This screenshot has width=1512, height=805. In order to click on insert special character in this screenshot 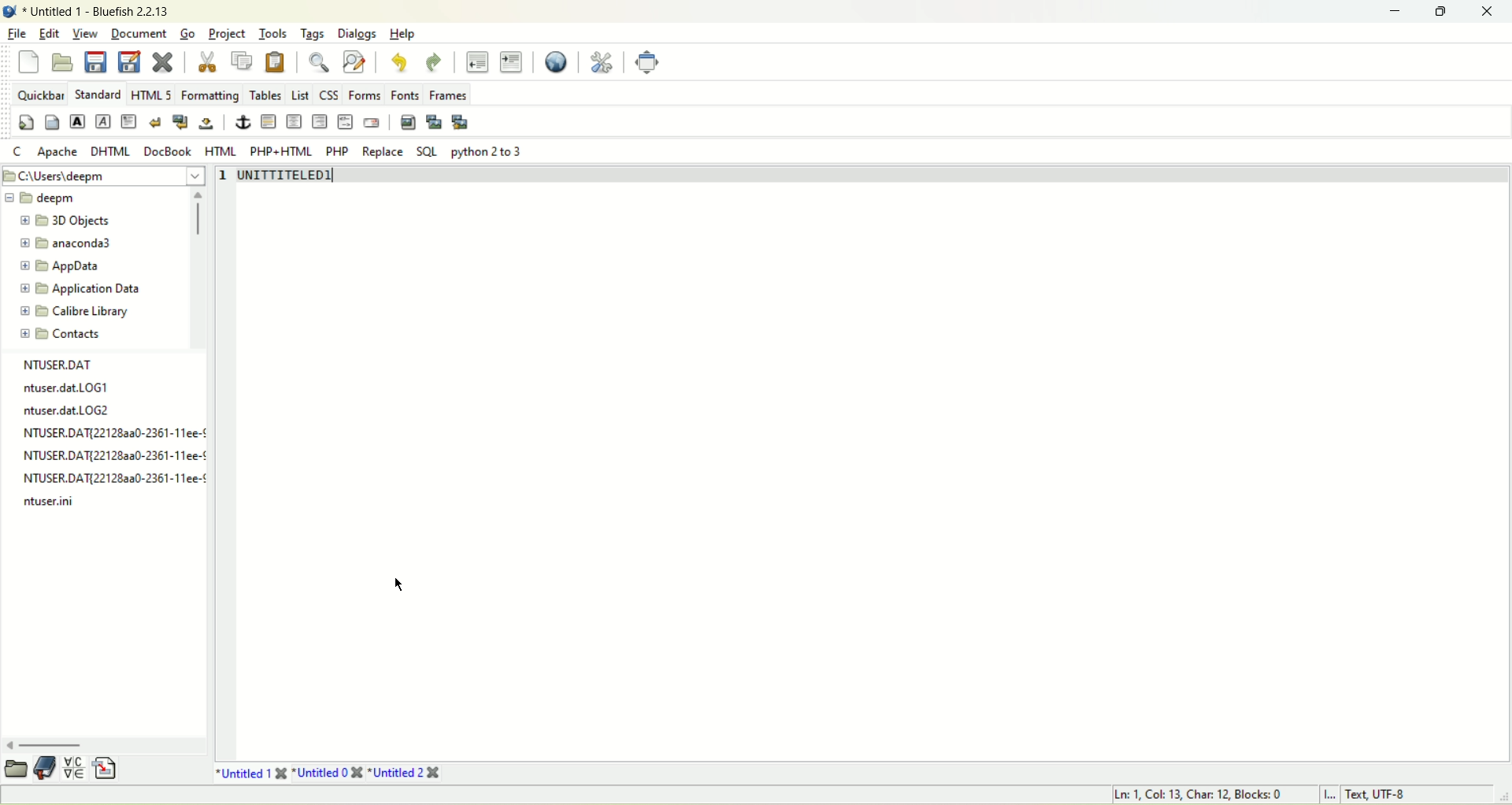, I will do `click(72, 769)`.